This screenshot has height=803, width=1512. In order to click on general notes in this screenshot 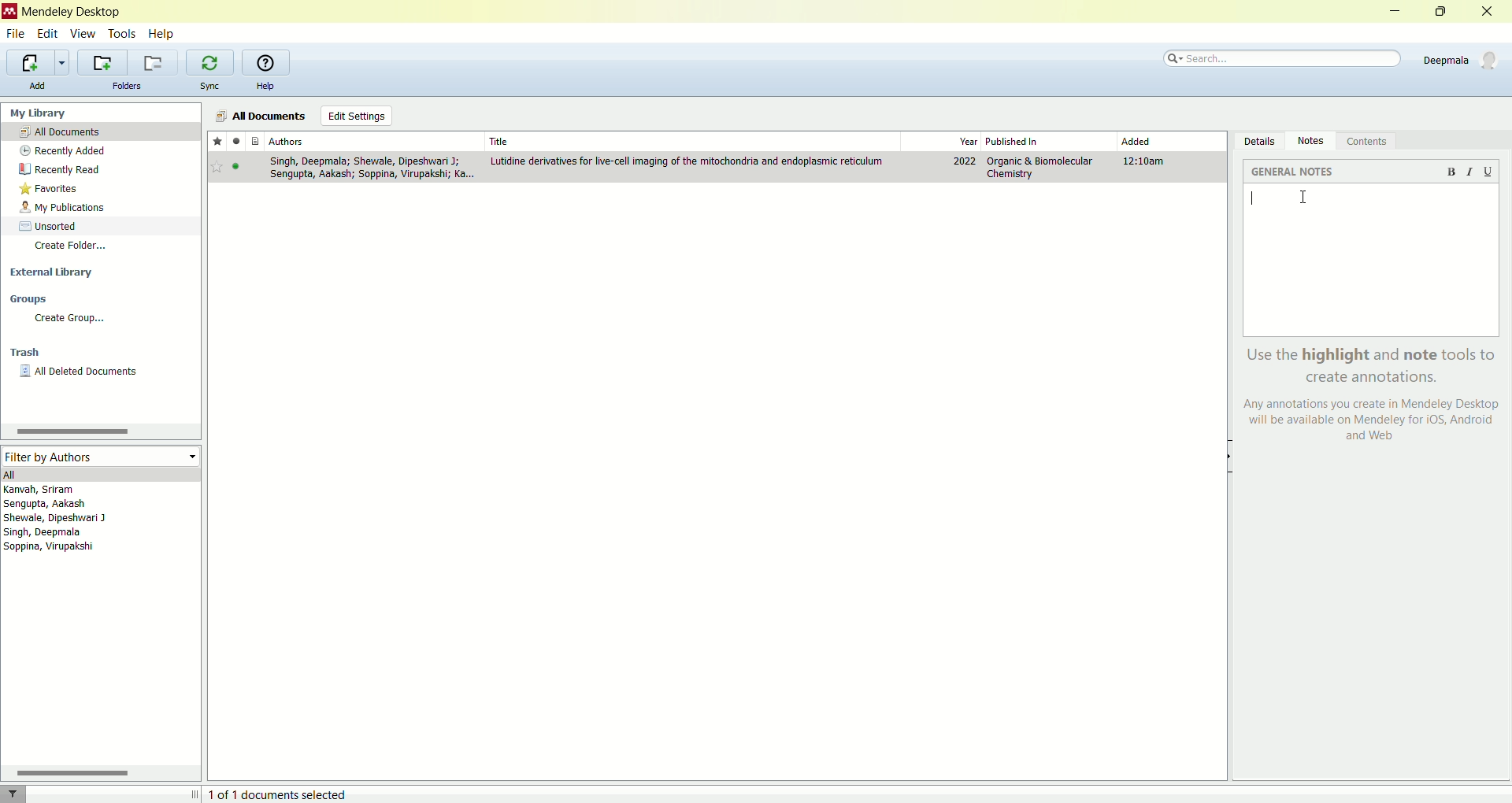, I will do `click(1294, 173)`.